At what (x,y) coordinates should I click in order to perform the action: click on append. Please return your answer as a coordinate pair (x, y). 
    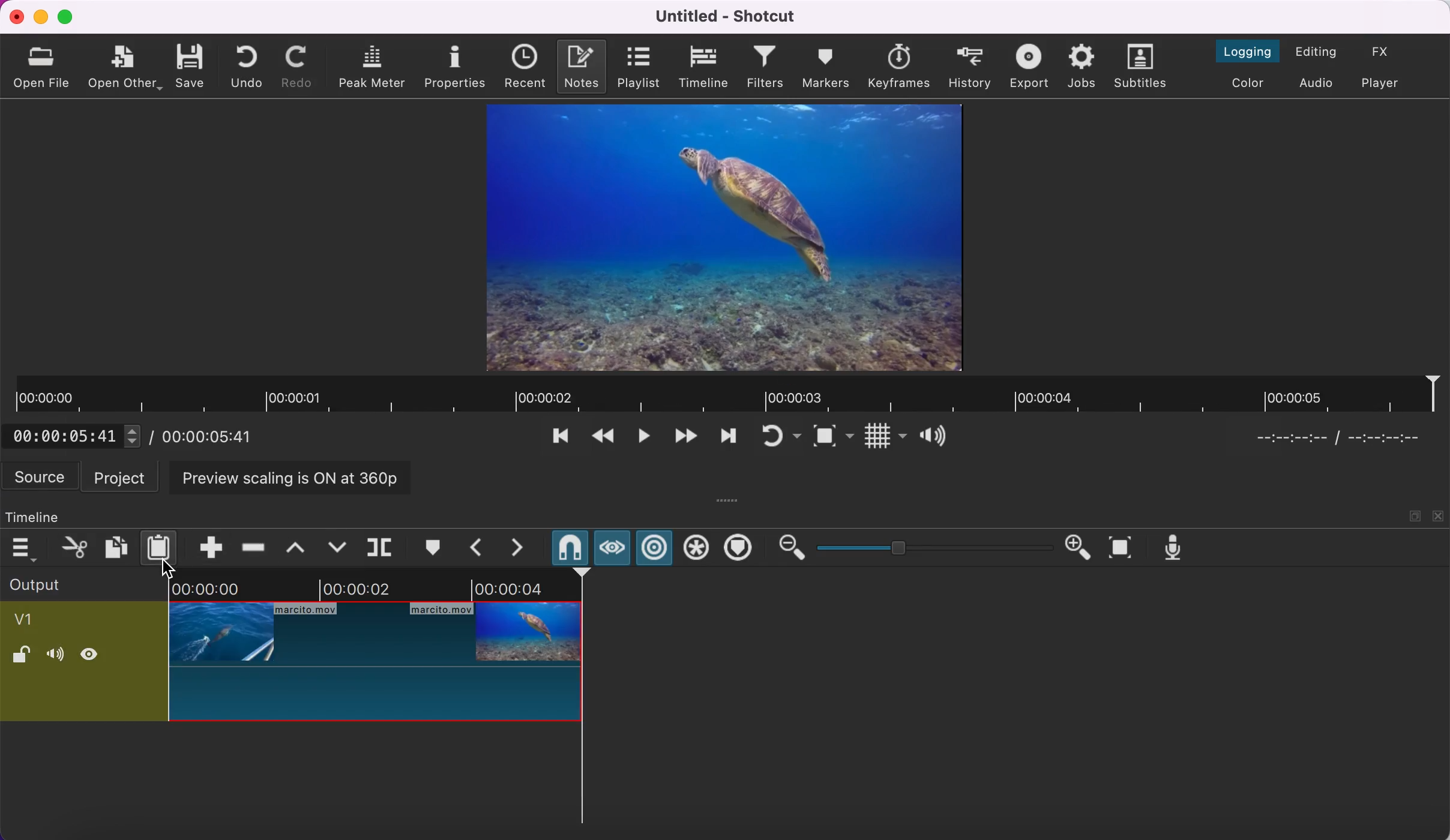
    Looking at the image, I should click on (210, 547).